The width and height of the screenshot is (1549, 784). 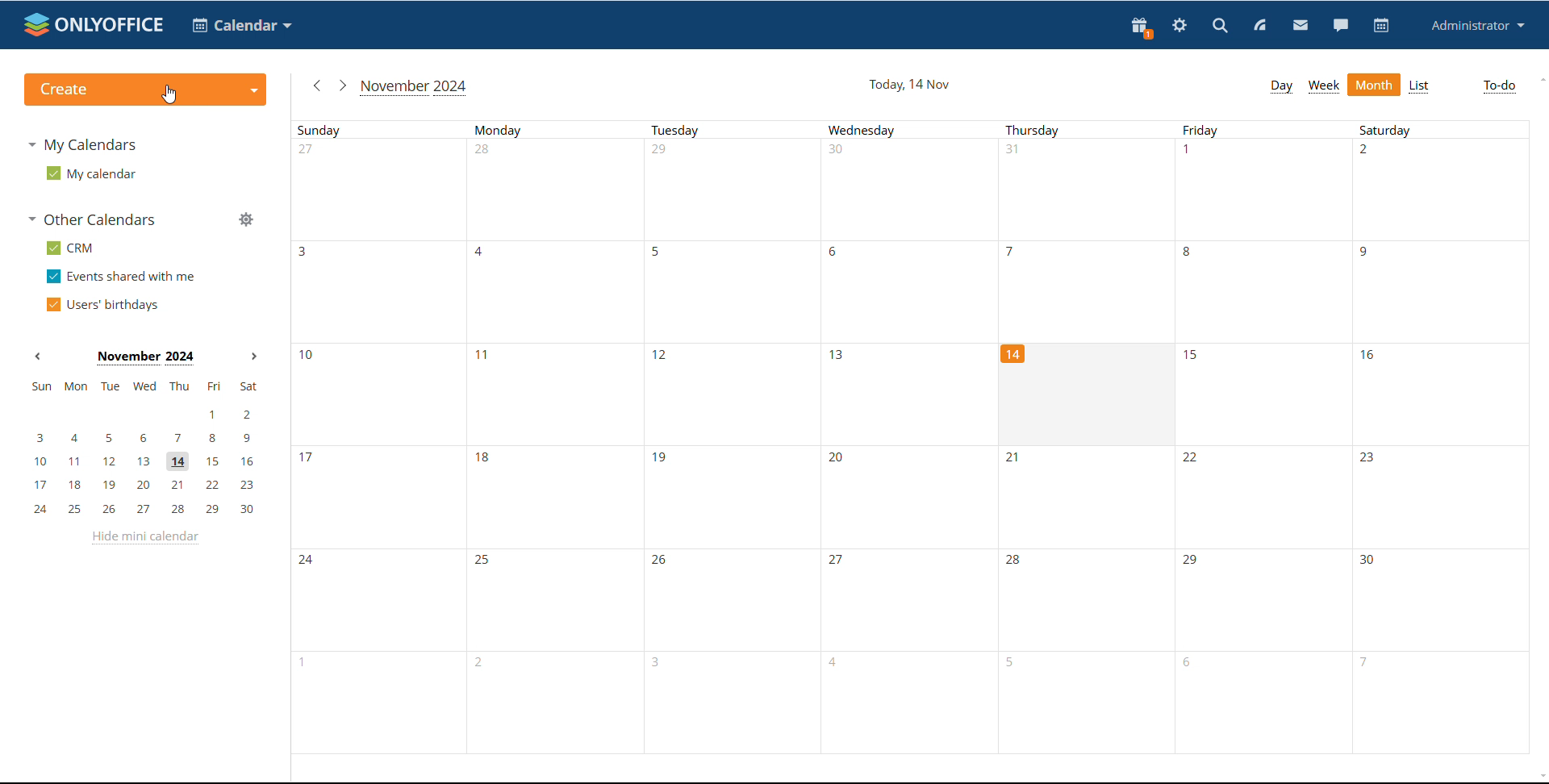 I want to click on month view, so click(x=1373, y=84).